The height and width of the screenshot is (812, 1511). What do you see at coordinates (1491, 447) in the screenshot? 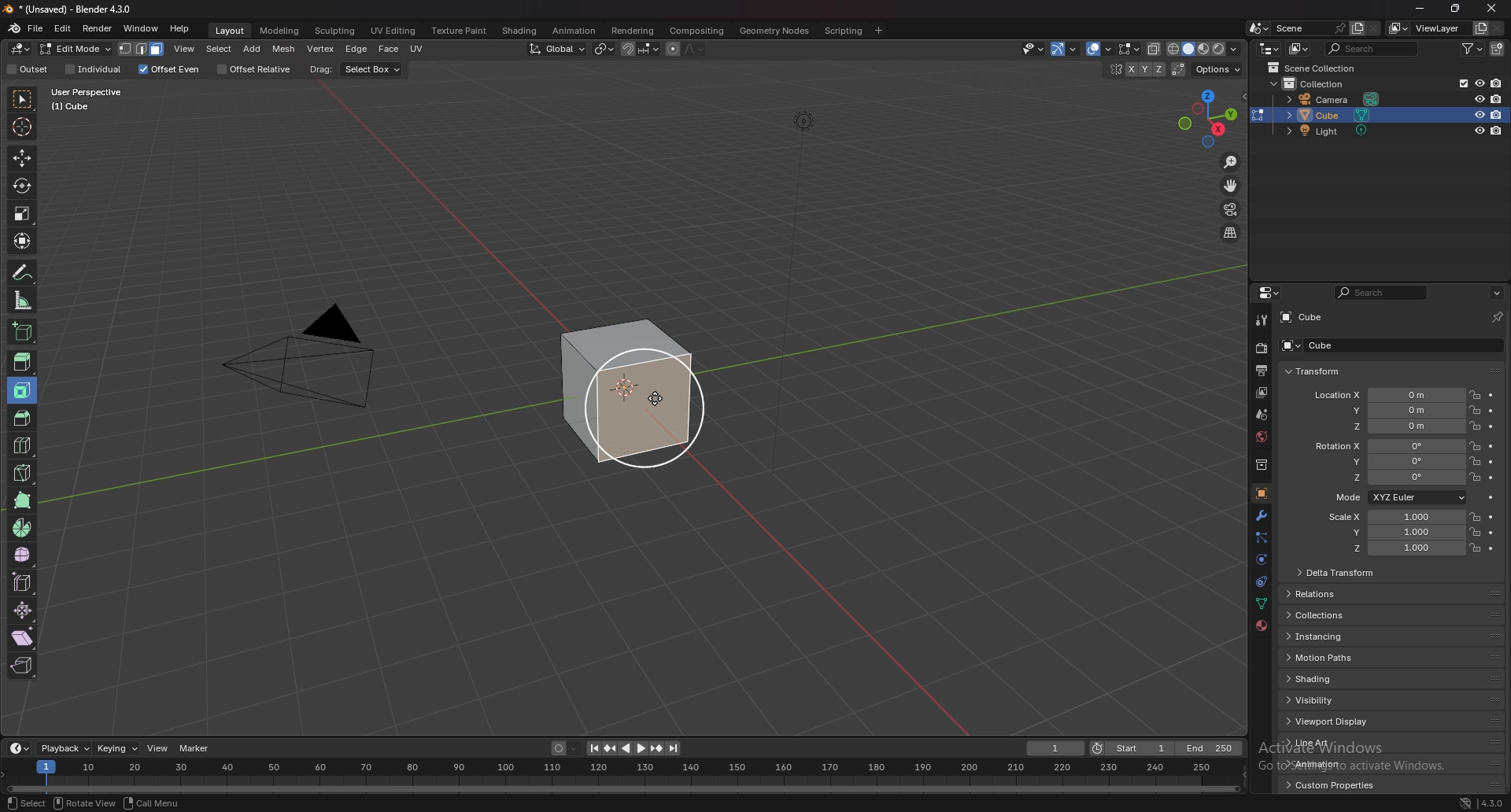
I see `animate property` at bounding box center [1491, 447].